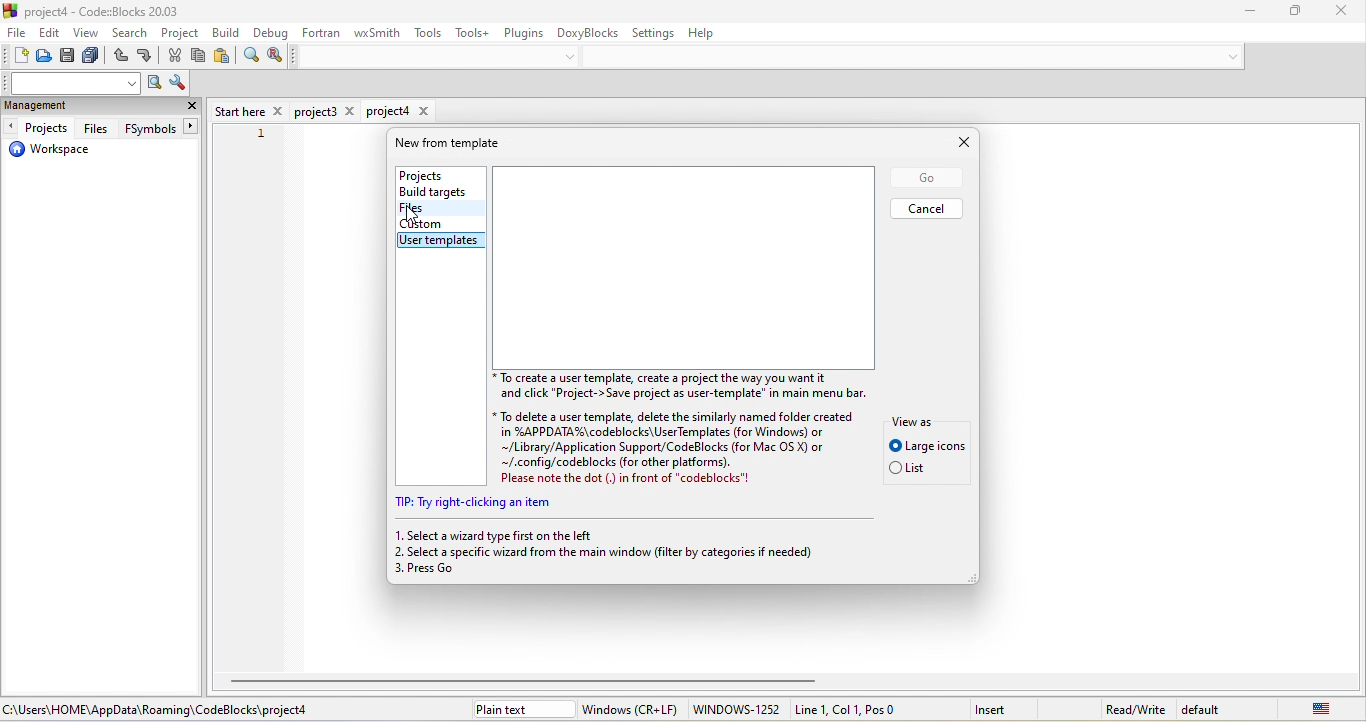 This screenshot has width=1366, height=722. What do you see at coordinates (73, 83) in the screenshot?
I see `text to search` at bounding box center [73, 83].